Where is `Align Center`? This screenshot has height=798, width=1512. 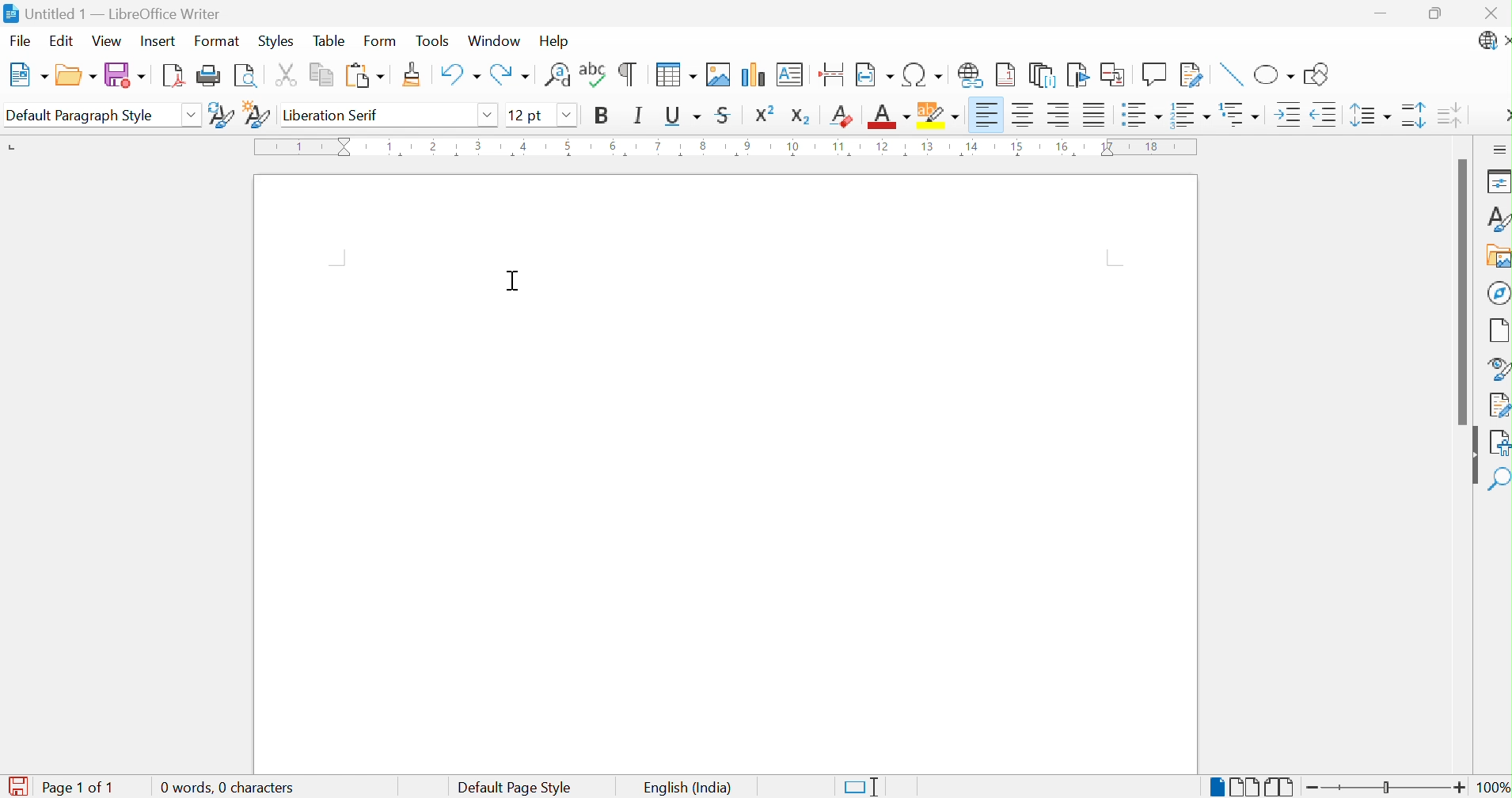 Align Center is located at coordinates (1024, 115).